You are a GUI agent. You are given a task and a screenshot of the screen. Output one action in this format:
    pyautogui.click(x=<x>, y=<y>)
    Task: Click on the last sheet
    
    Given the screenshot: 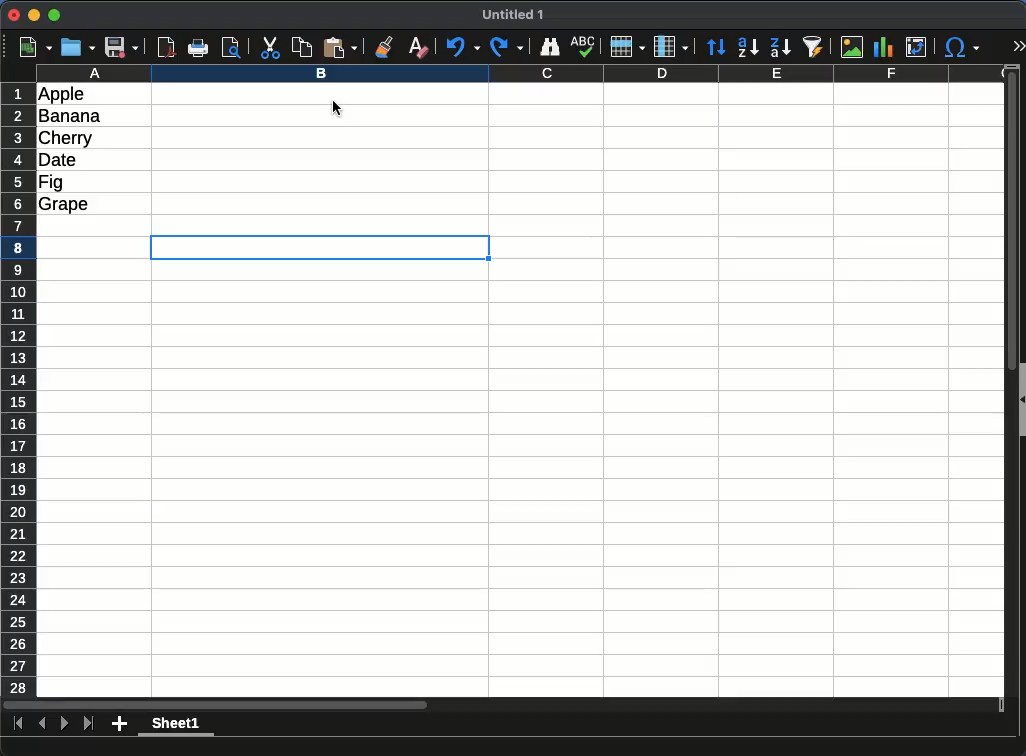 What is the action you would take?
    pyautogui.click(x=89, y=724)
    